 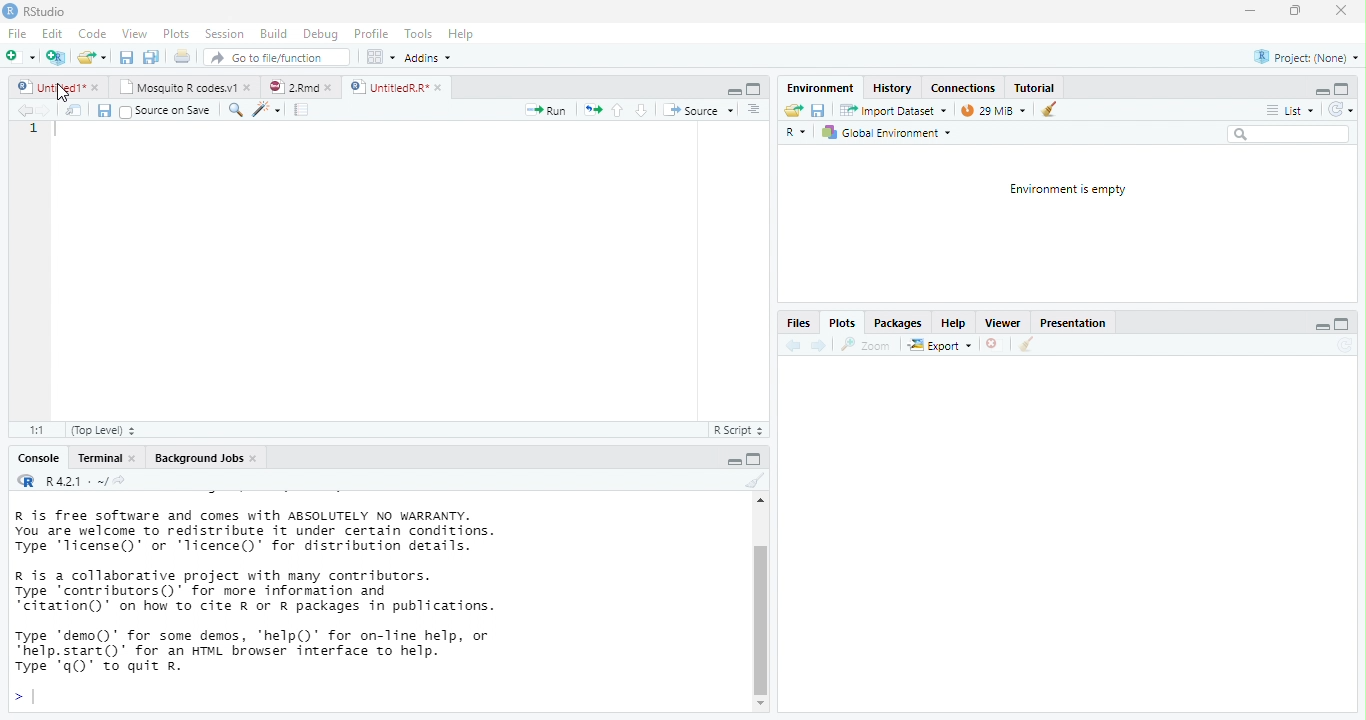 I want to click on code tool, so click(x=268, y=109).